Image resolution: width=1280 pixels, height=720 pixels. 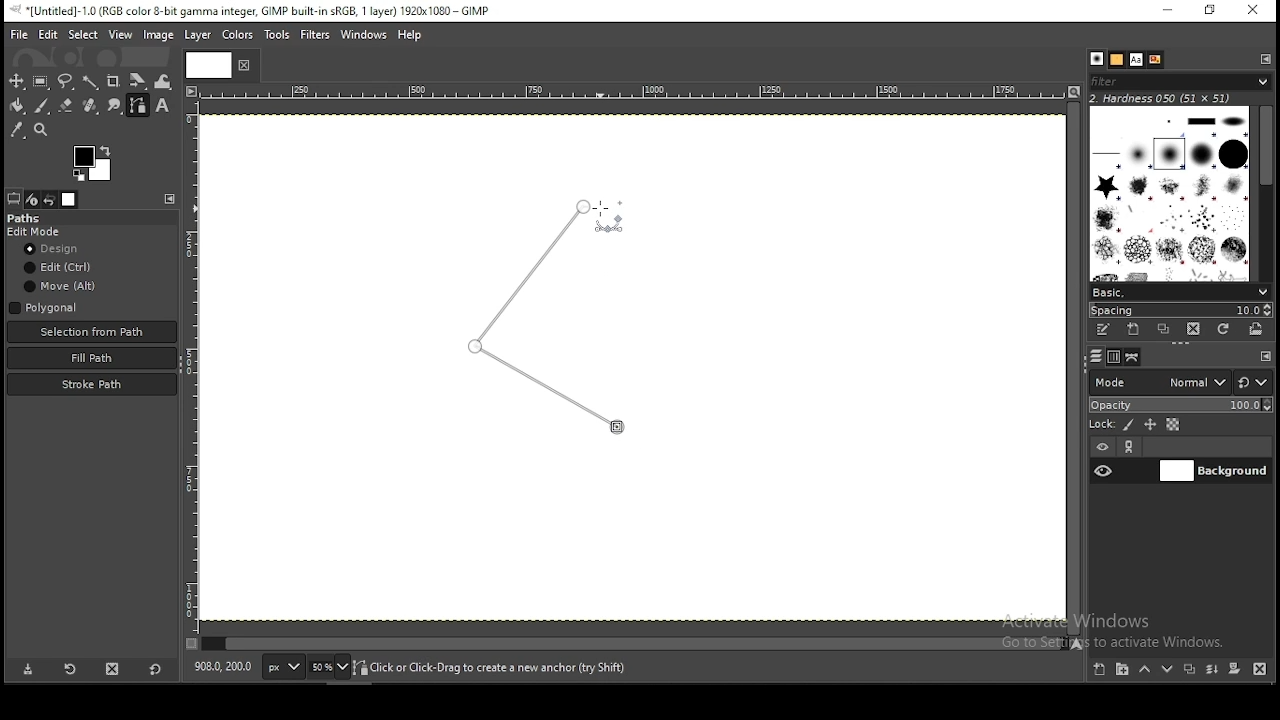 I want to click on paths, so click(x=29, y=218).